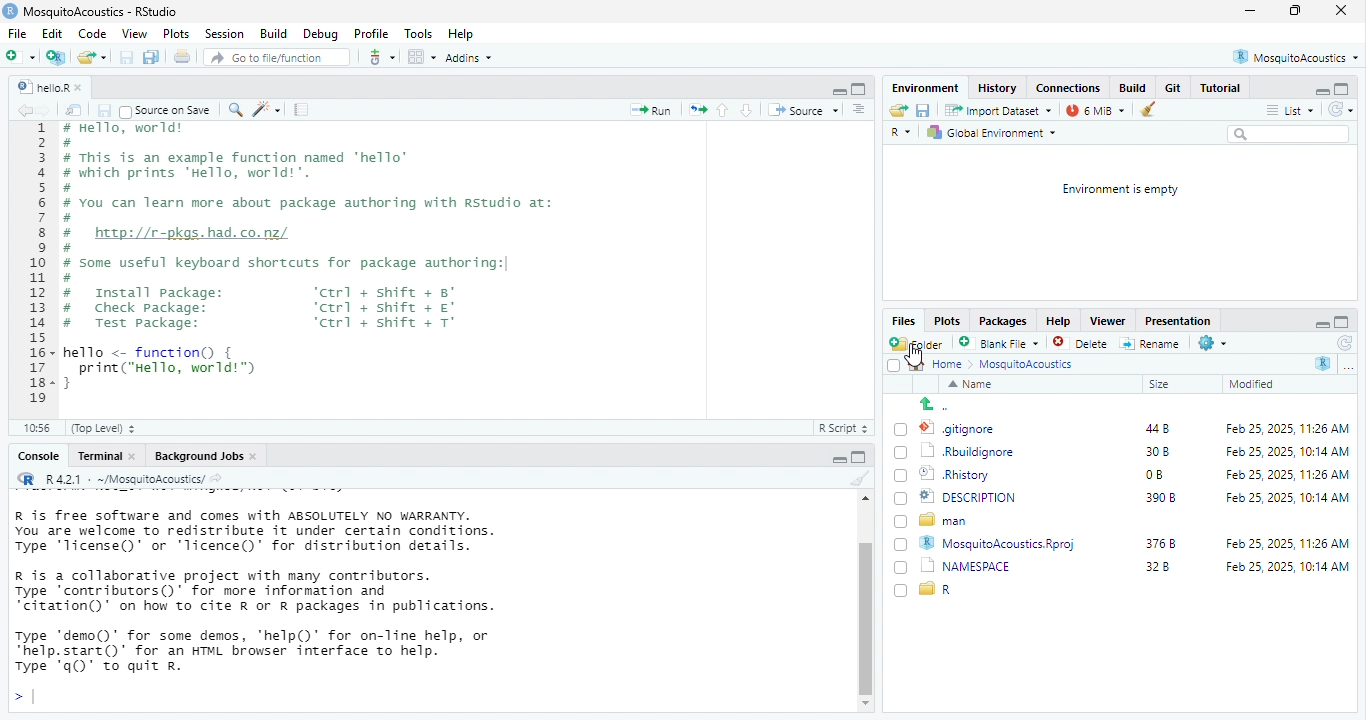 The image size is (1366, 720). What do you see at coordinates (1344, 320) in the screenshot?
I see `hide console` at bounding box center [1344, 320].